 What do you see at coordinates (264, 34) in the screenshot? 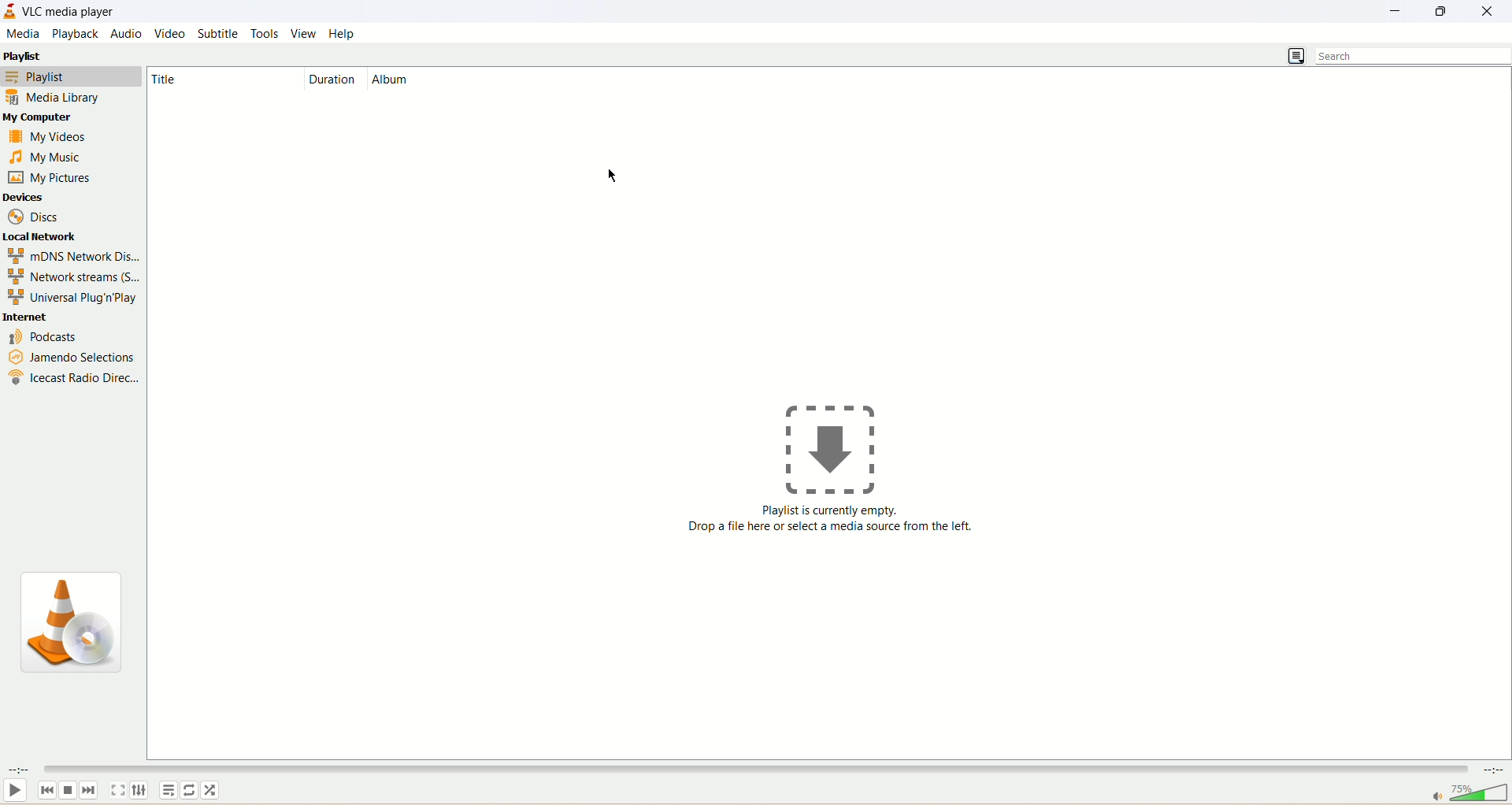
I see `tools` at bounding box center [264, 34].